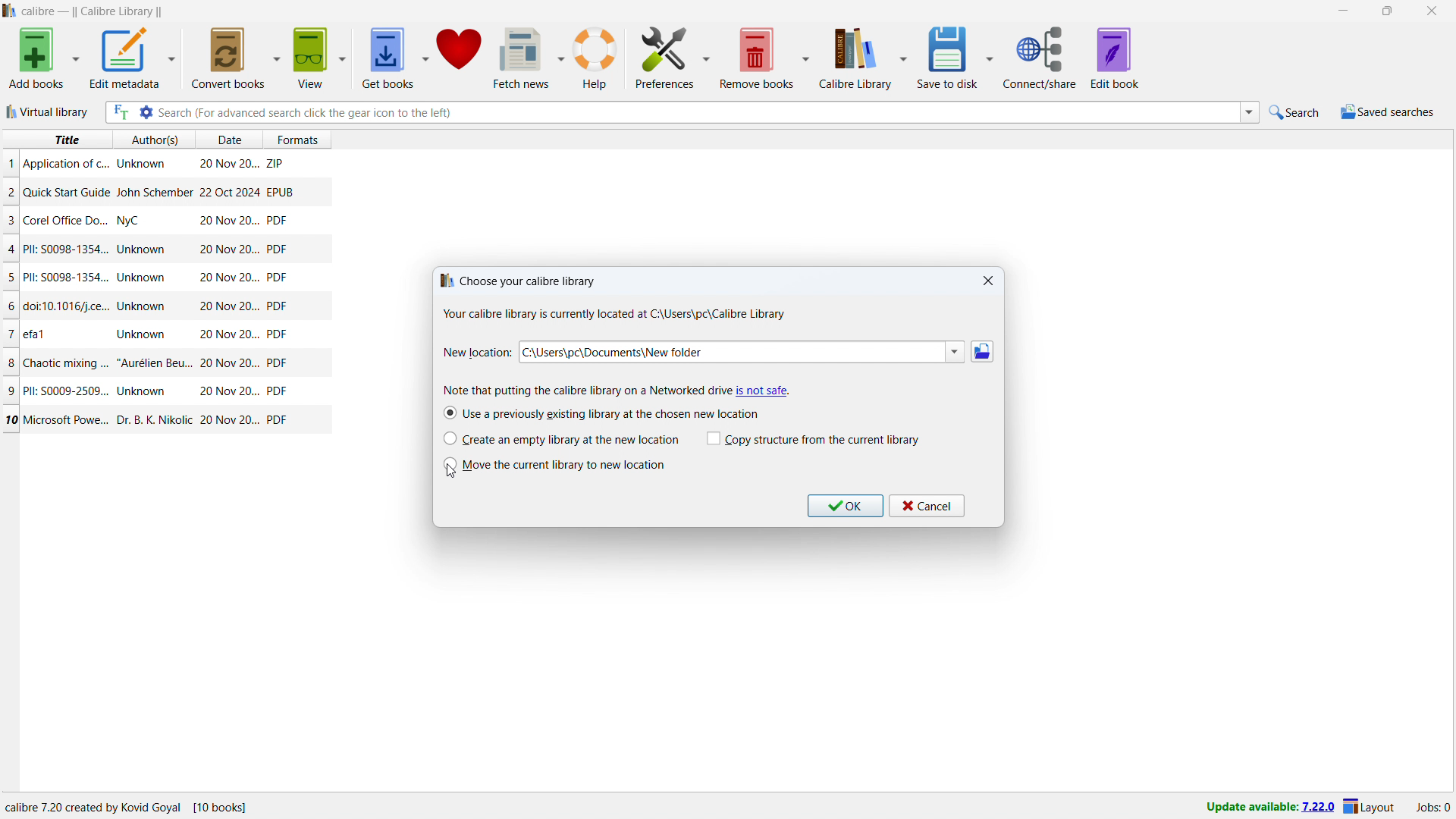 The width and height of the screenshot is (1456, 819). Describe the element at coordinates (278, 248) in the screenshot. I see `PDF` at that location.